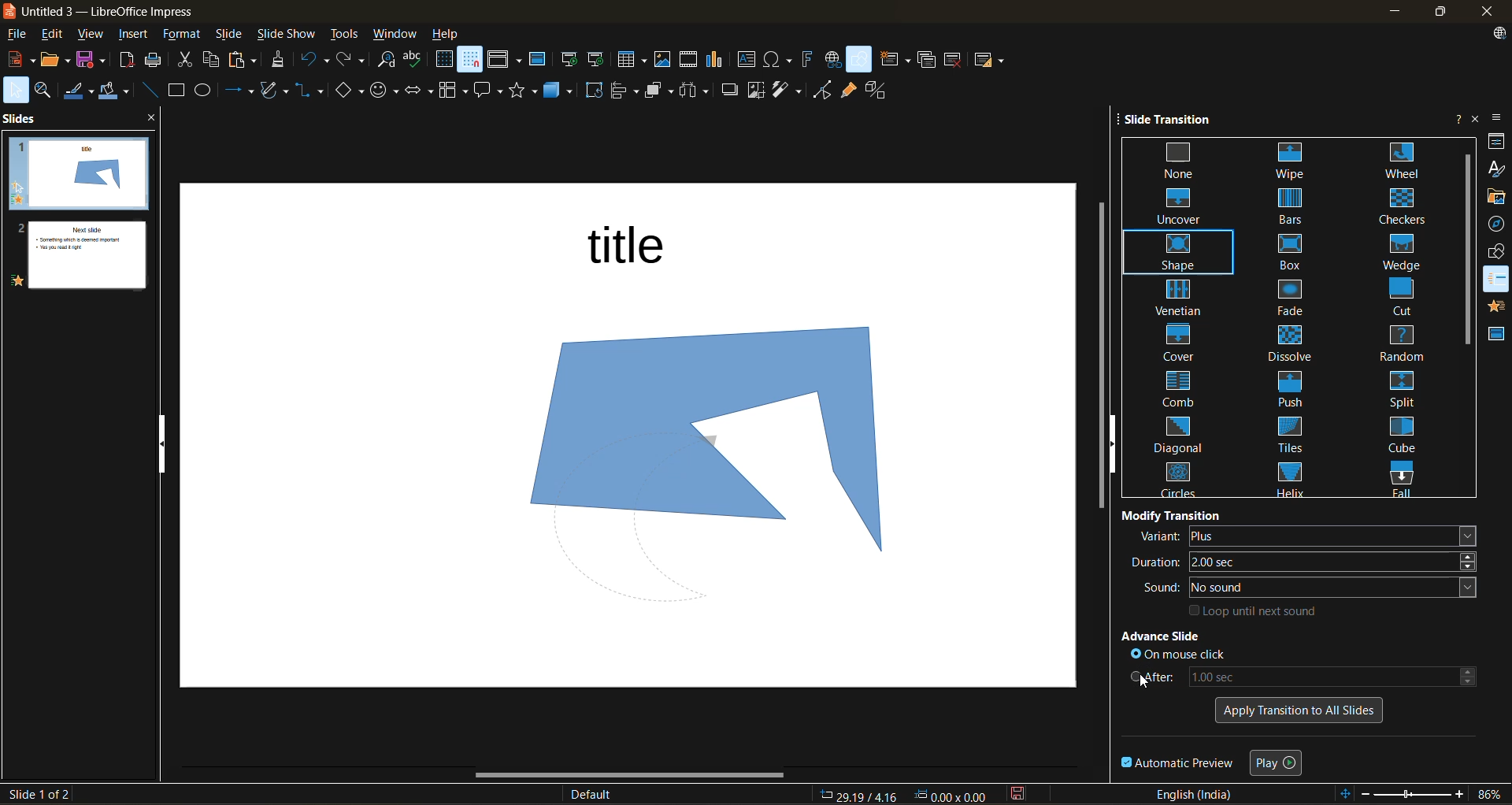  Describe the element at coordinates (541, 61) in the screenshot. I see `master slide` at that location.